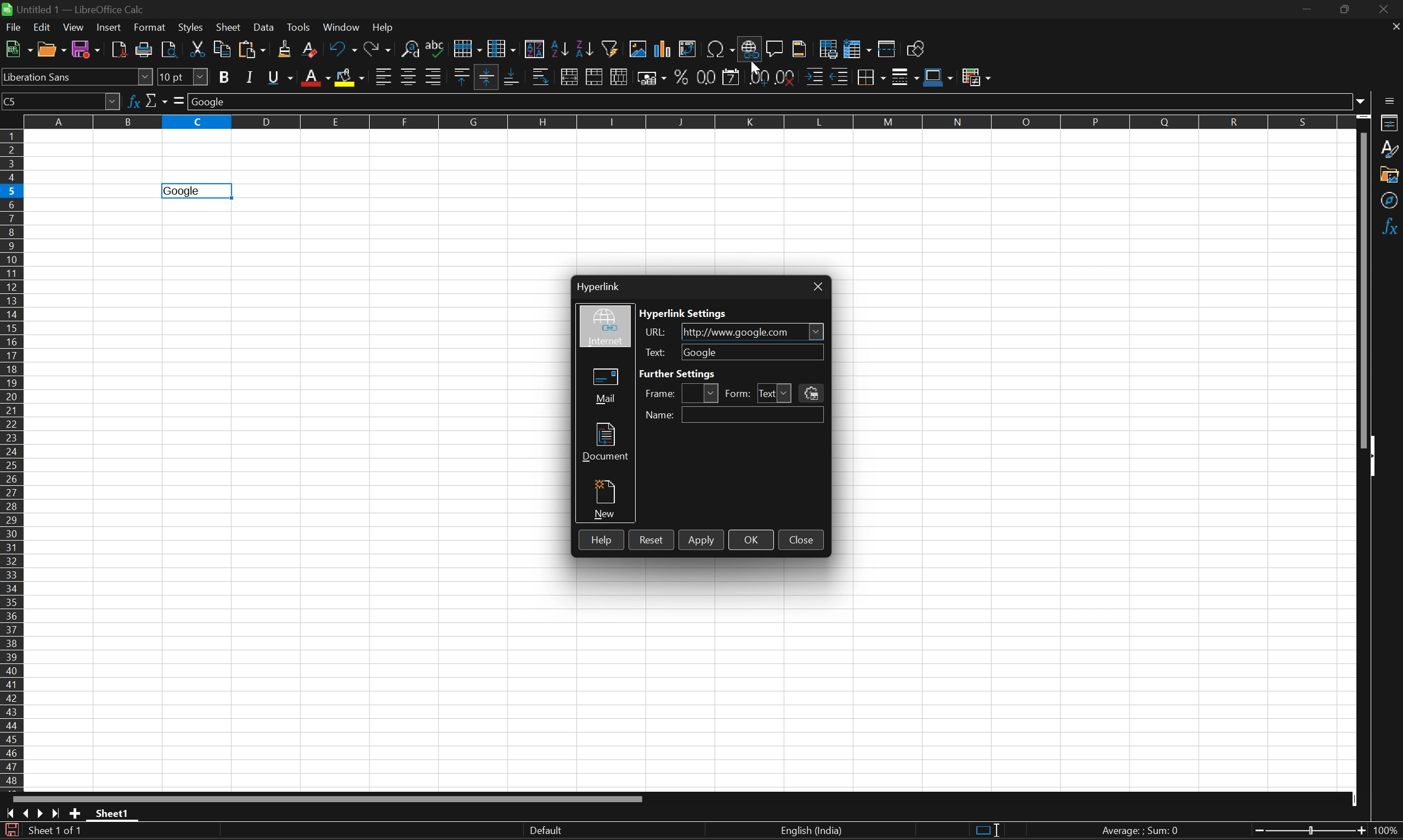  What do you see at coordinates (467, 45) in the screenshot?
I see `Row` at bounding box center [467, 45].